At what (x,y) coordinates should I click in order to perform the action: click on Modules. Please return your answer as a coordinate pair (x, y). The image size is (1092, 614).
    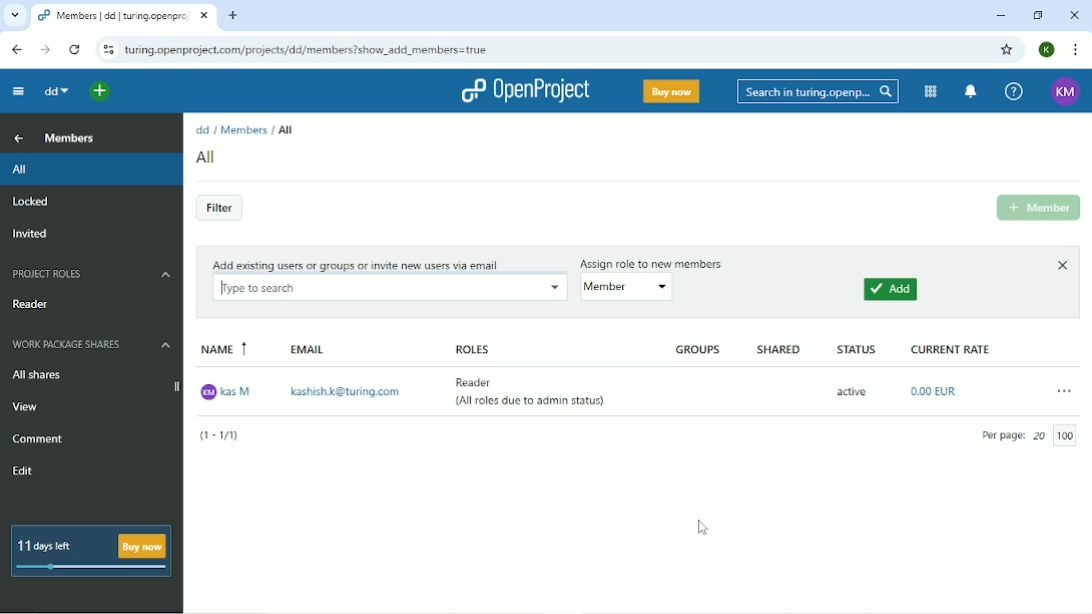
    Looking at the image, I should click on (928, 91).